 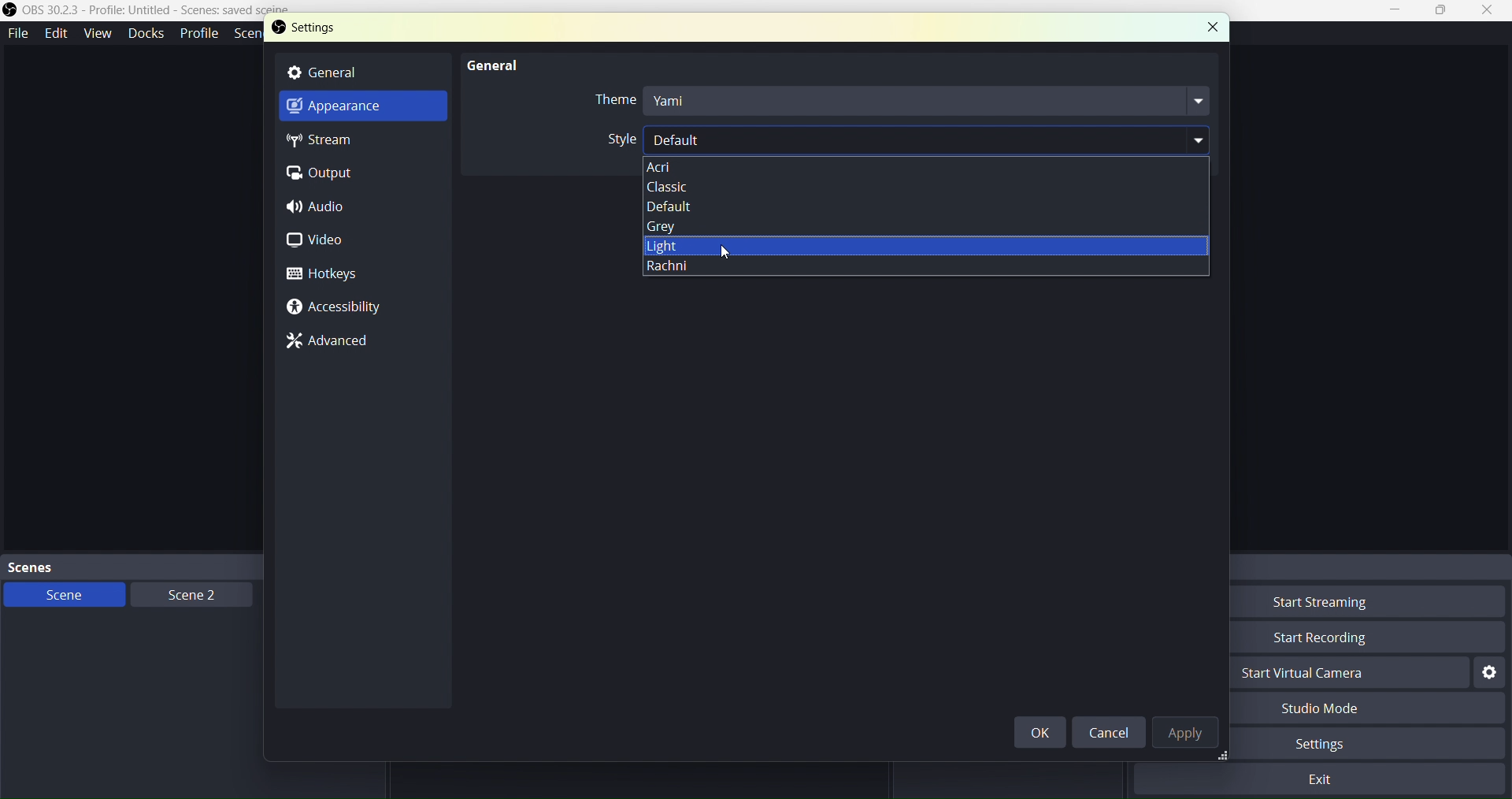 What do you see at coordinates (95, 32) in the screenshot?
I see `View` at bounding box center [95, 32].